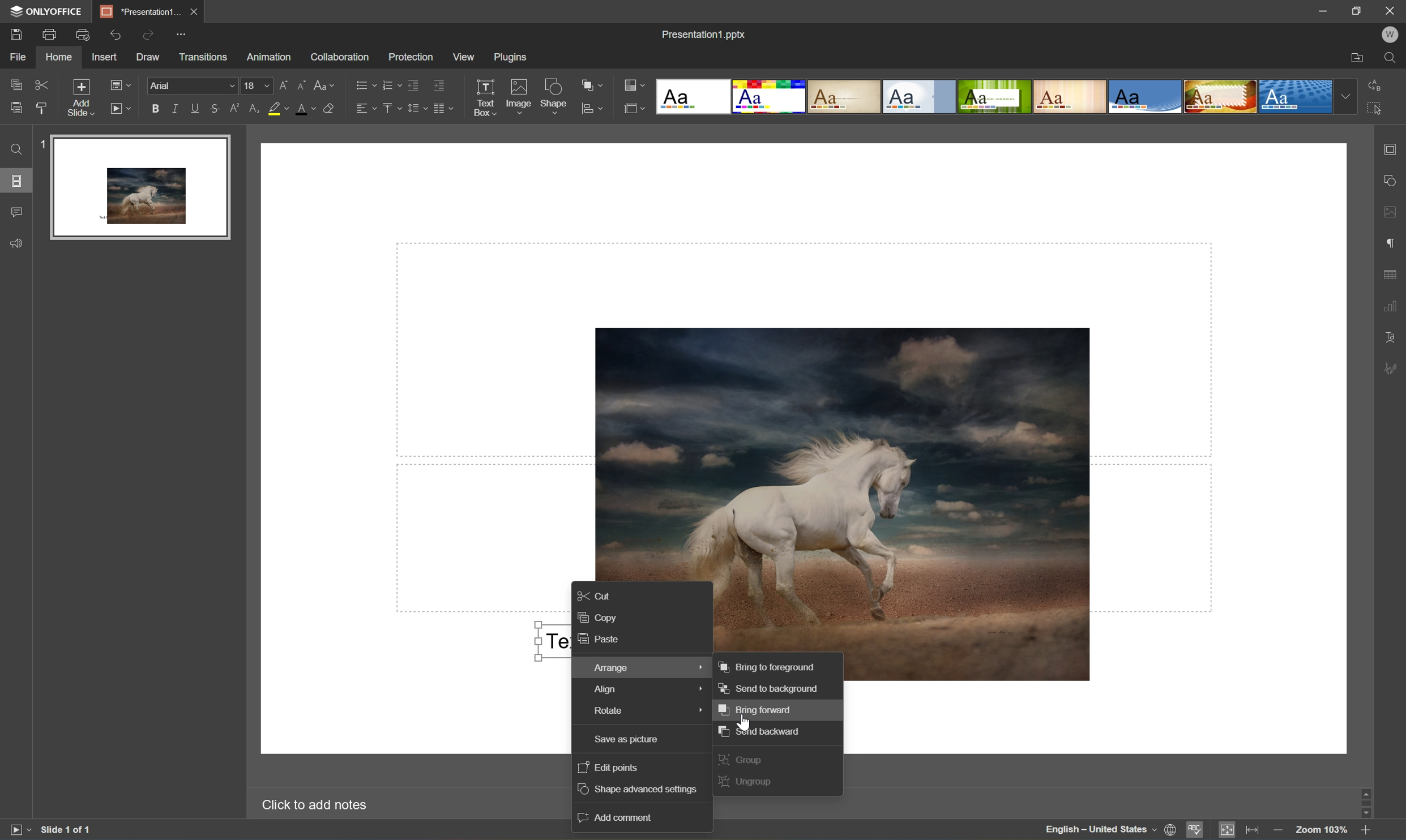 Image resolution: width=1406 pixels, height=840 pixels. Describe the element at coordinates (1368, 800) in the screenshot. I see `Scroll Bar` at that location.